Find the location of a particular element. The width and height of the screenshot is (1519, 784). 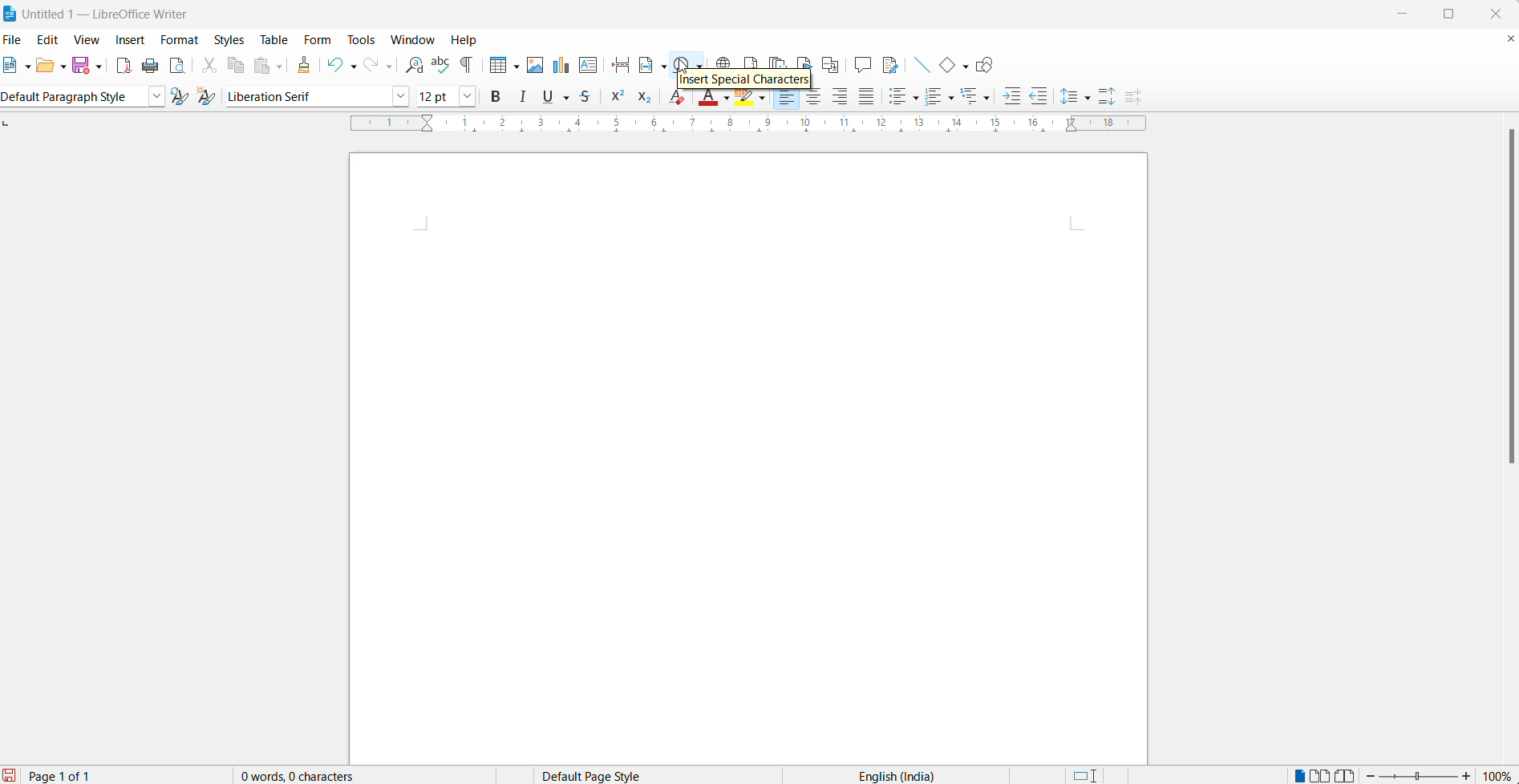

insert special characters is located at coordinates (687, 64).